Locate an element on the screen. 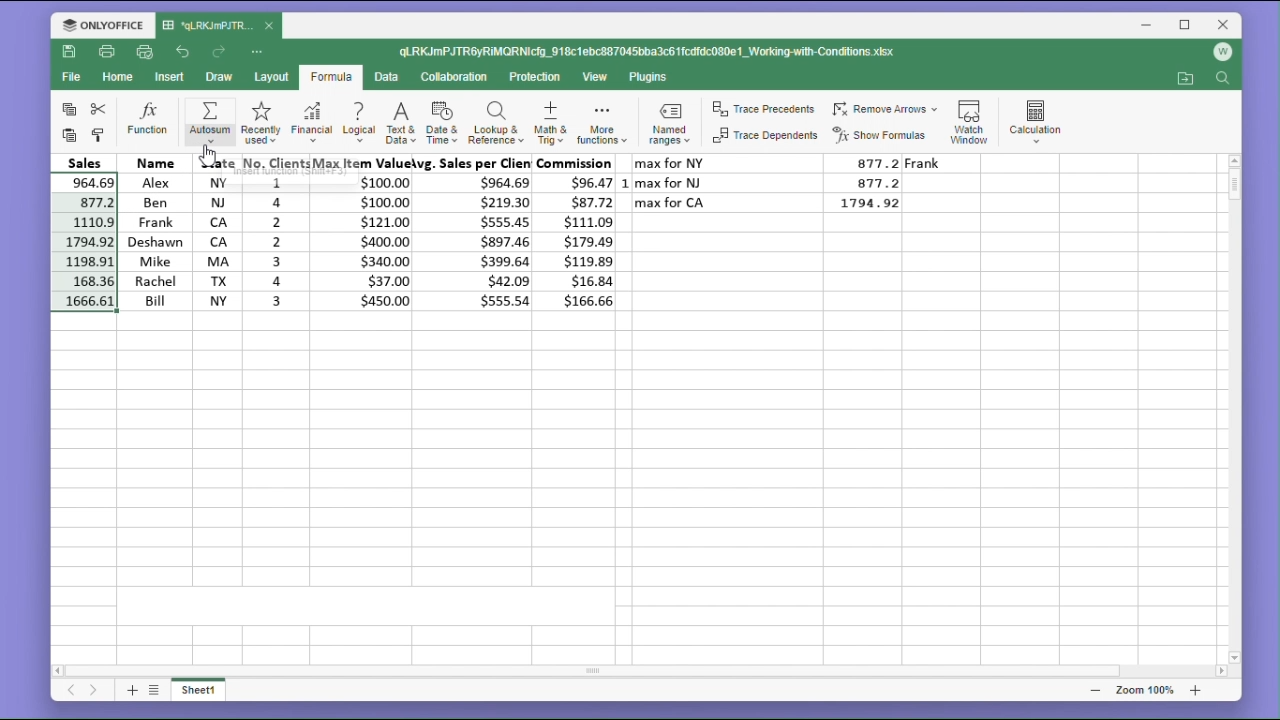 The width and height of the screenshot is (1280, 720). account  logo is located at coordinates (1226, 53).